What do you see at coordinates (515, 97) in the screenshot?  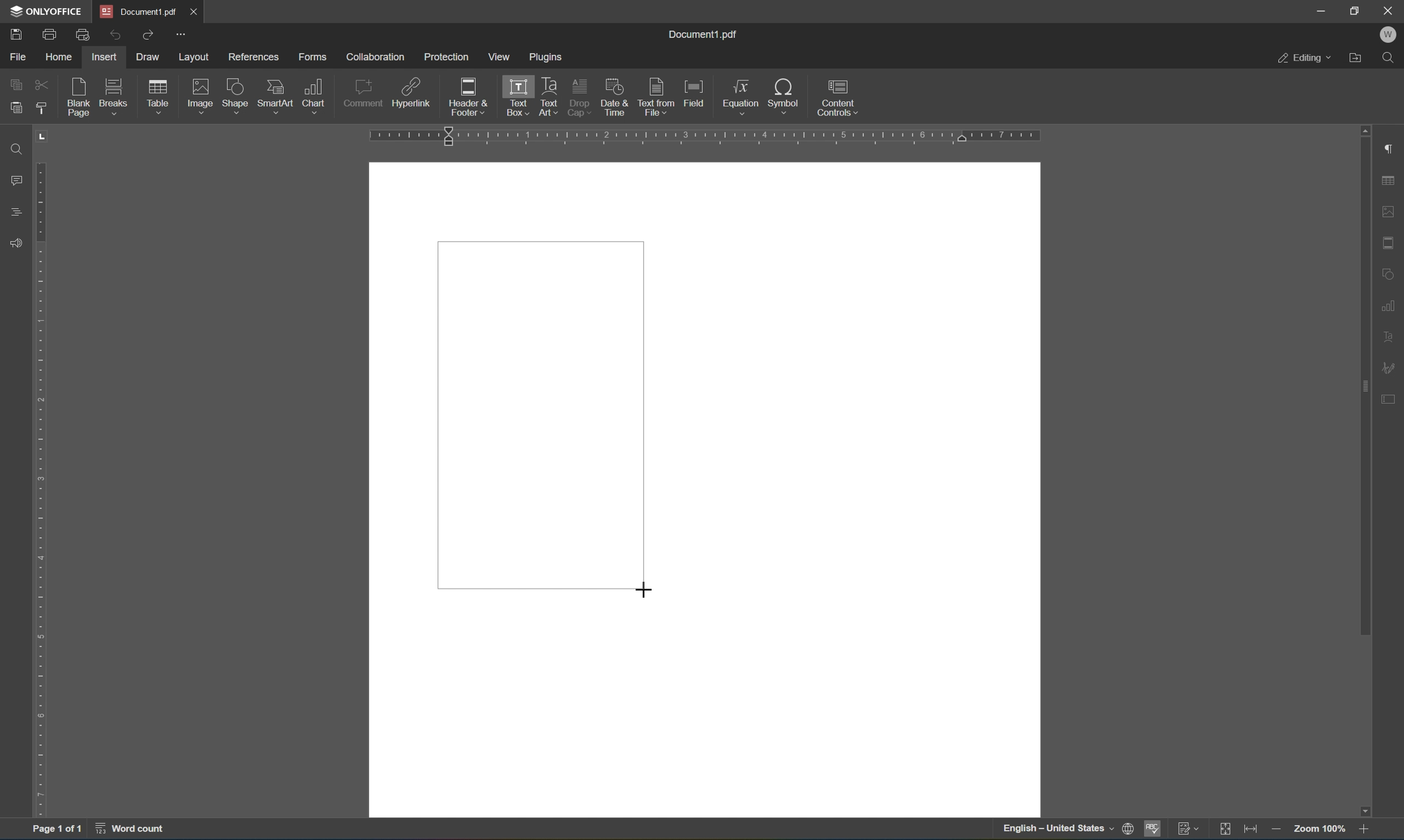 I see `text box` at bounding box center [515, 97].